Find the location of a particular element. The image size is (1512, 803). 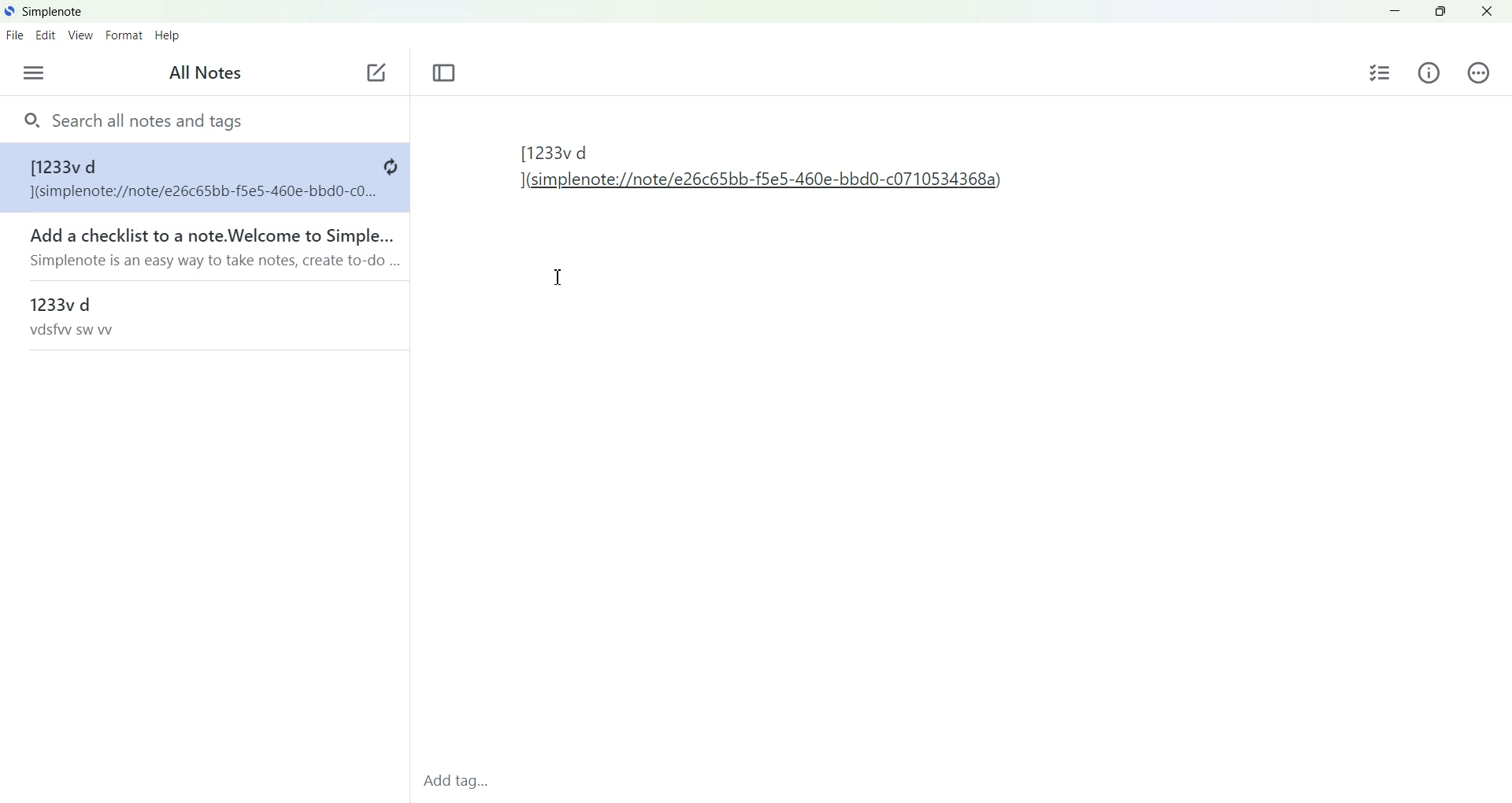

Text Cursor is located at coordinates (557, 278).